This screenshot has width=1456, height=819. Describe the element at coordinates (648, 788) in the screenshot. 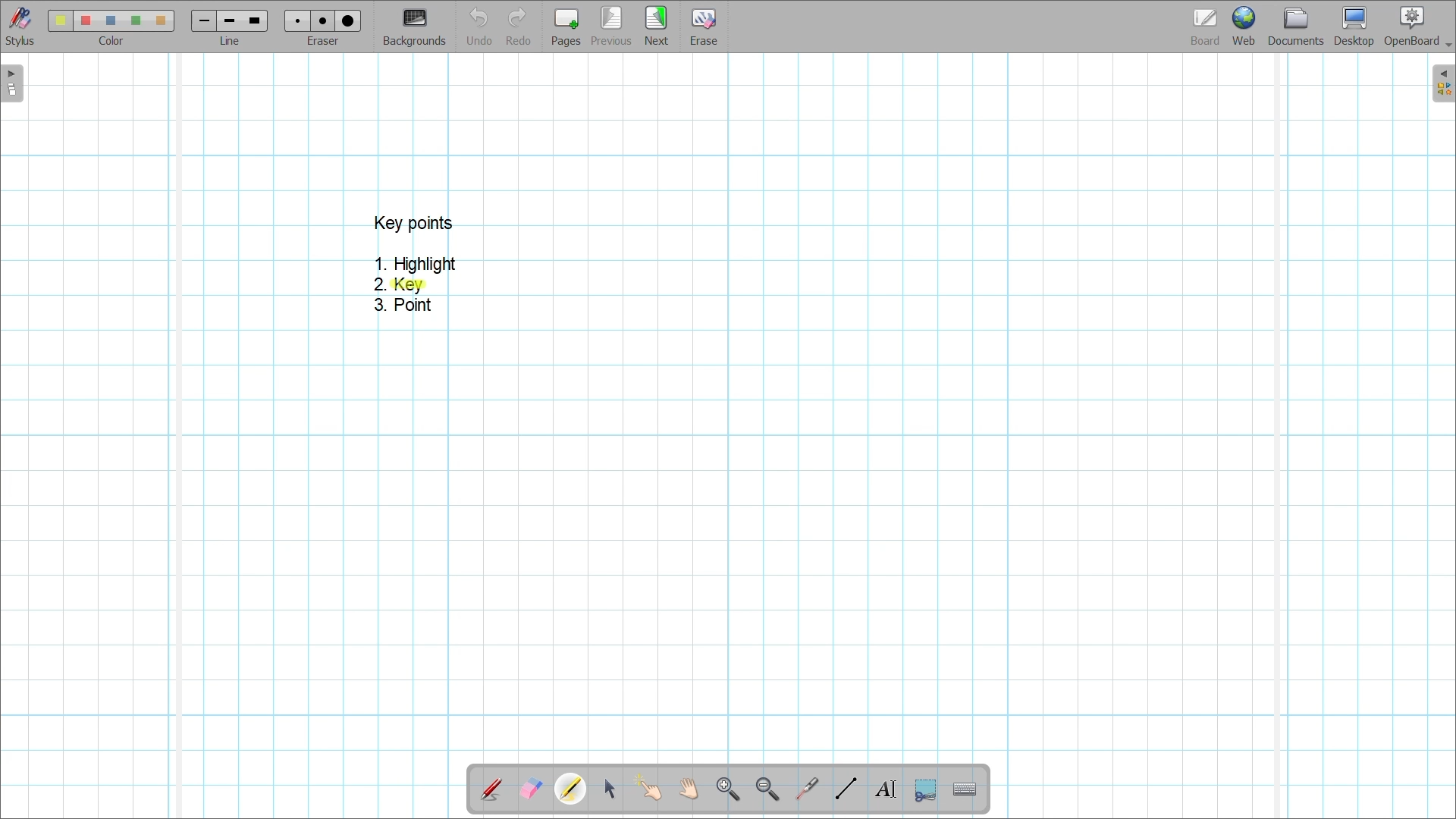

I see `Interact with items` at that location.